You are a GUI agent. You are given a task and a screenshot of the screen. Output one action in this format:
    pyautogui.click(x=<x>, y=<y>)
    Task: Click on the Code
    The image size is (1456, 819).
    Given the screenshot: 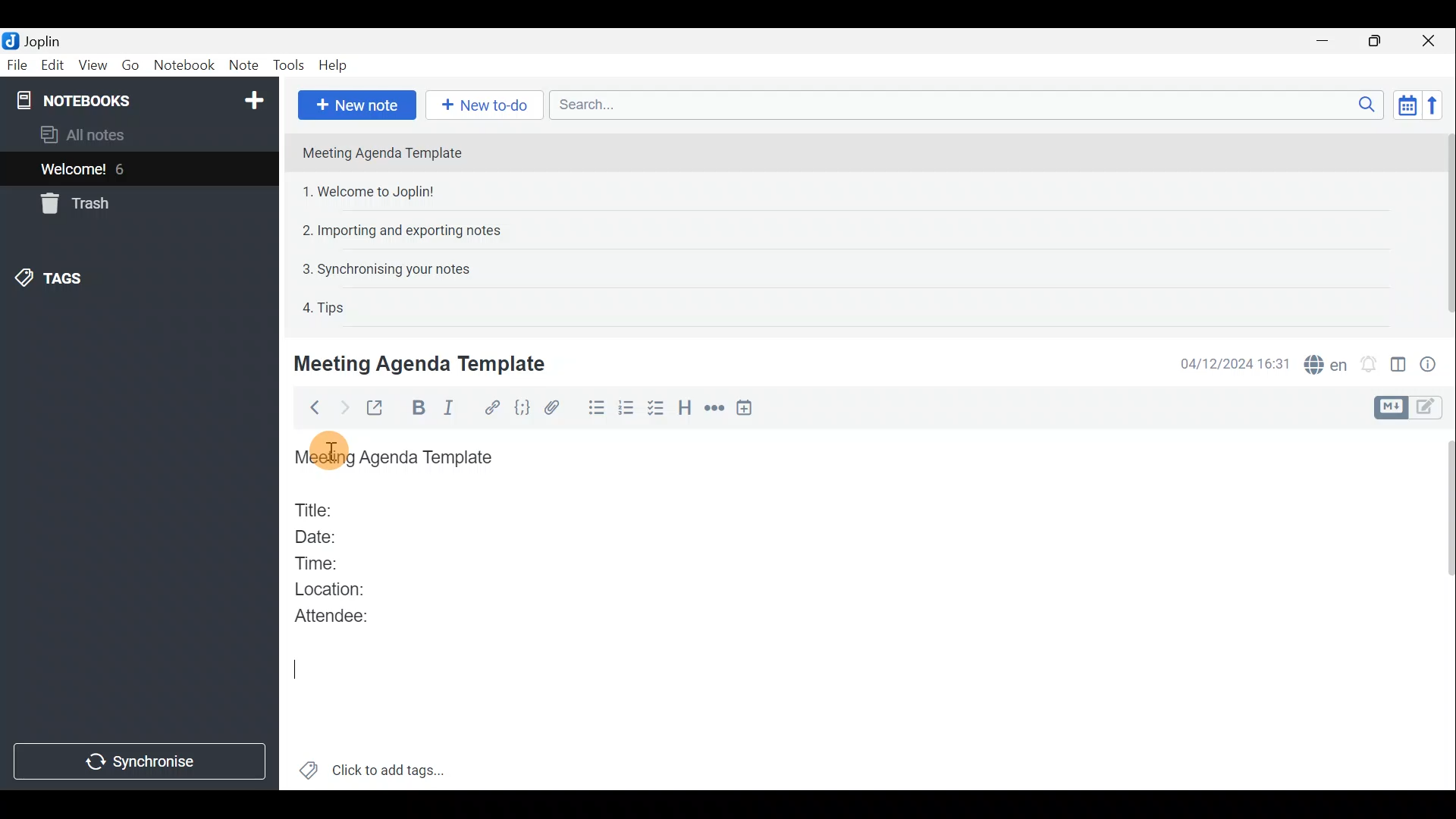 What is the action you would take?
    pyautogui.click(x=522, y=410)
    